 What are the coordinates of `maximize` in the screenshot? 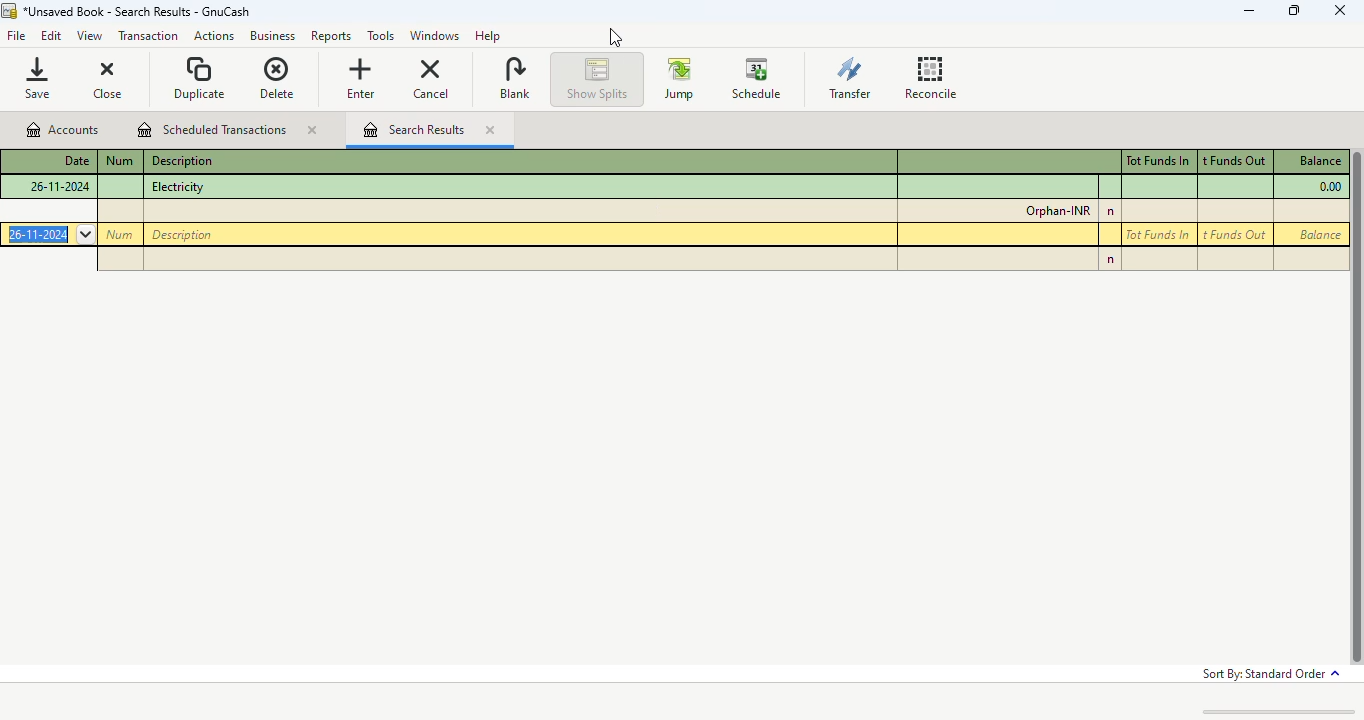 It's located at (1293, 10).